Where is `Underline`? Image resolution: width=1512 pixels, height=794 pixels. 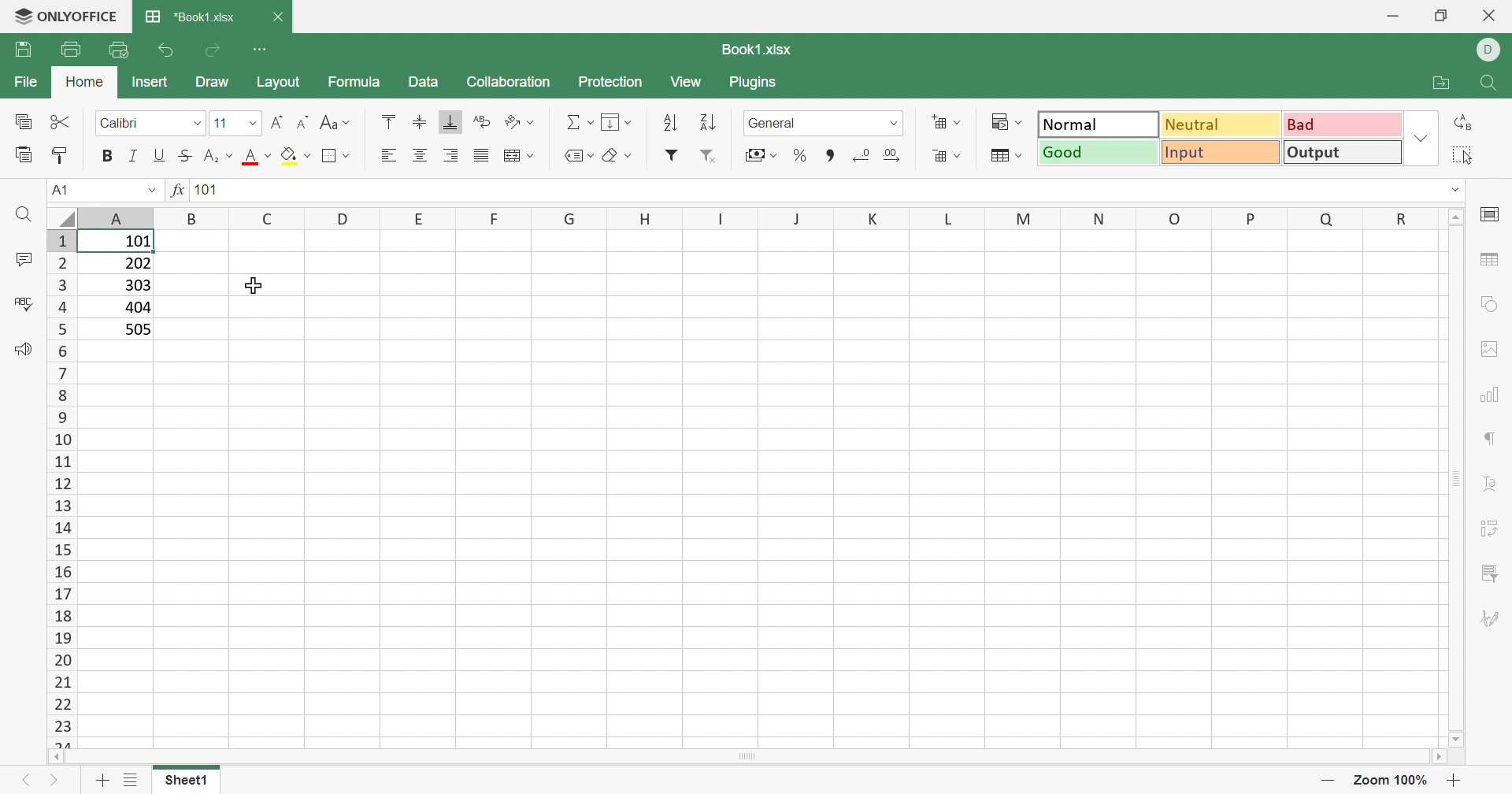 Underline is located at coordinates (158, 157).